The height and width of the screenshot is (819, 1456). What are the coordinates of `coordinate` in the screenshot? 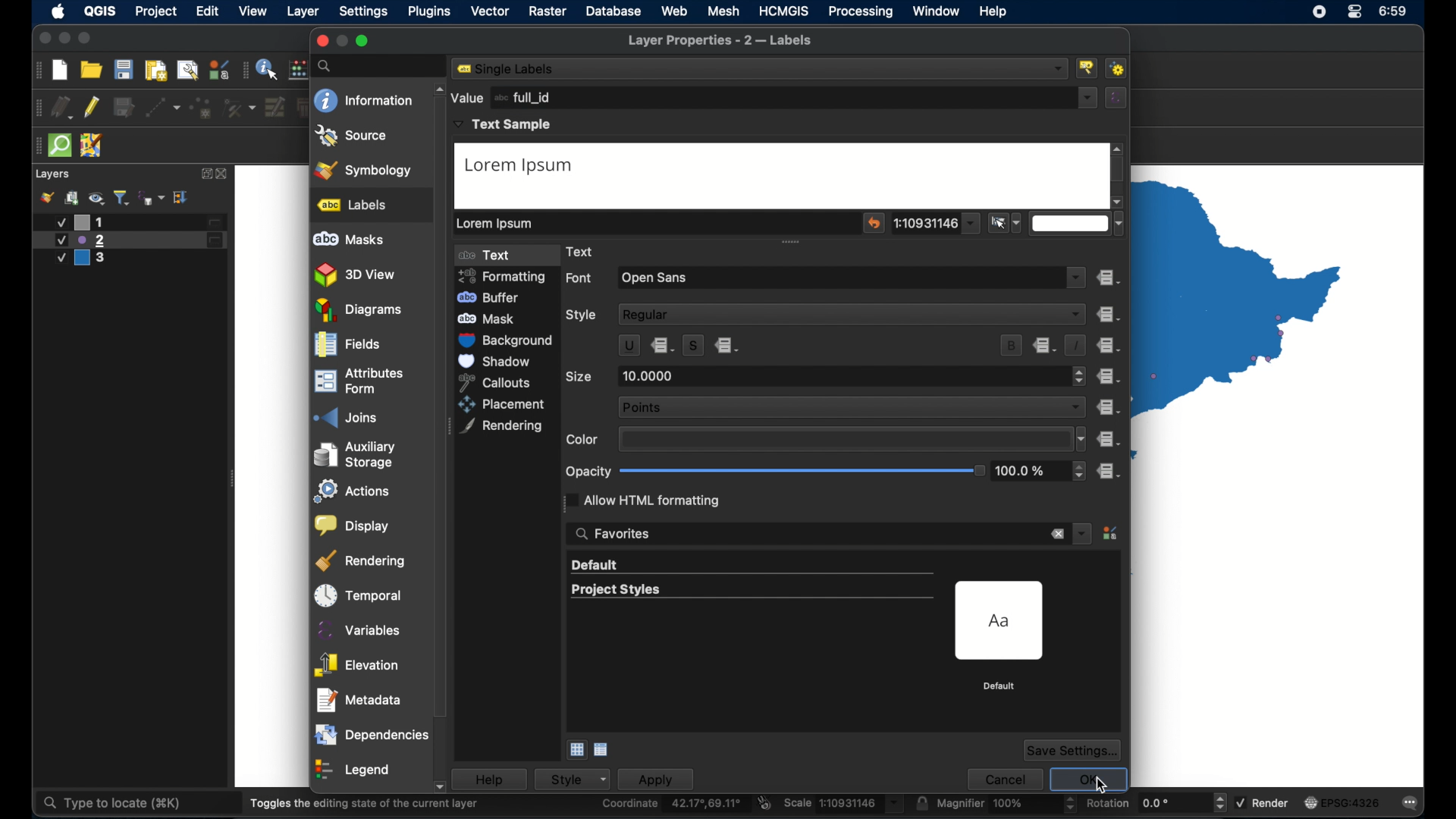 It's located at (673, 804).